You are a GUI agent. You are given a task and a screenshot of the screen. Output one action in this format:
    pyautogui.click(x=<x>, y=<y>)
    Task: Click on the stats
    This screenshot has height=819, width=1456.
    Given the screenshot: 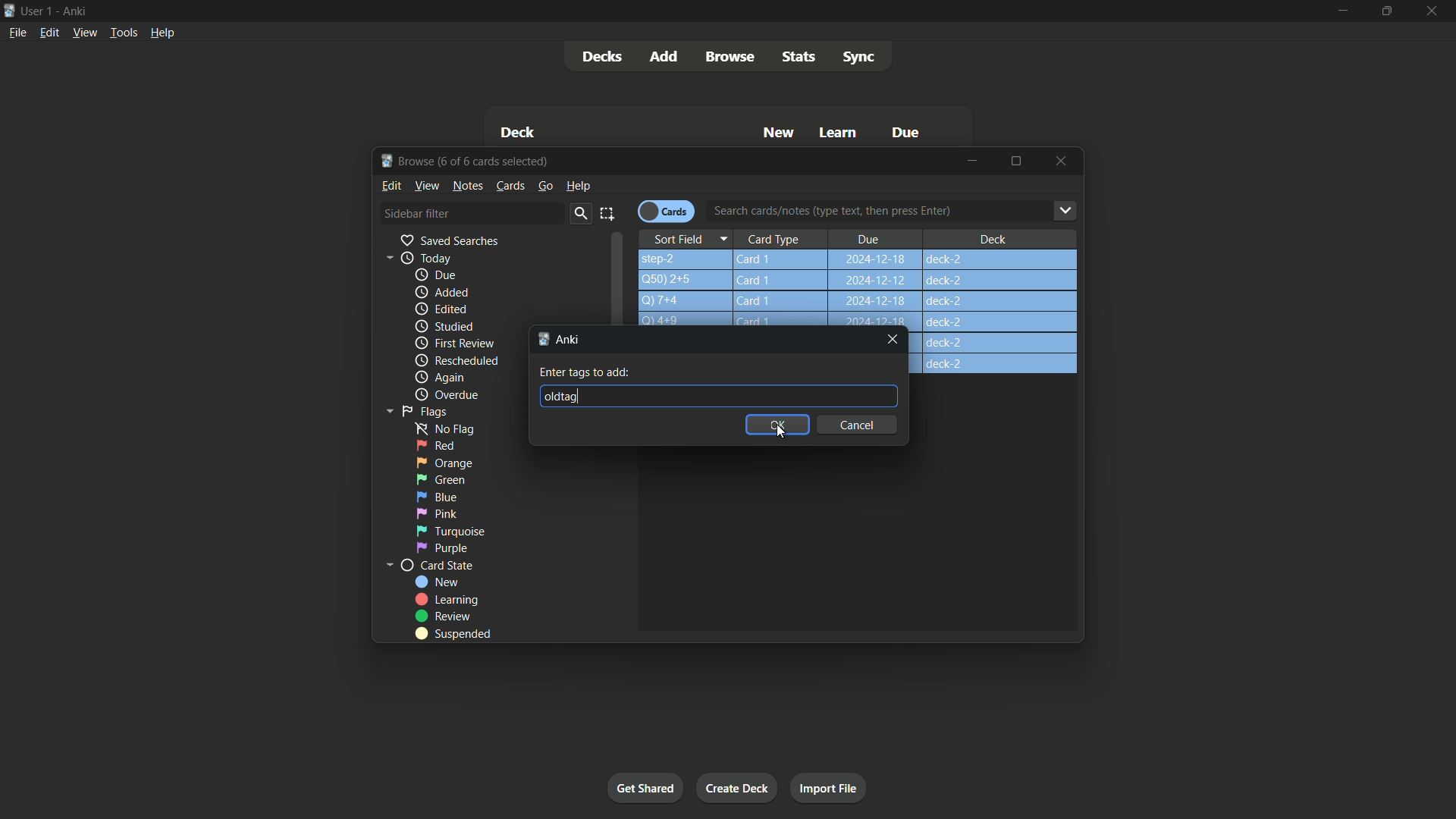 What is the action you would take?
    pyautogui.click(x=802, y=55)
    